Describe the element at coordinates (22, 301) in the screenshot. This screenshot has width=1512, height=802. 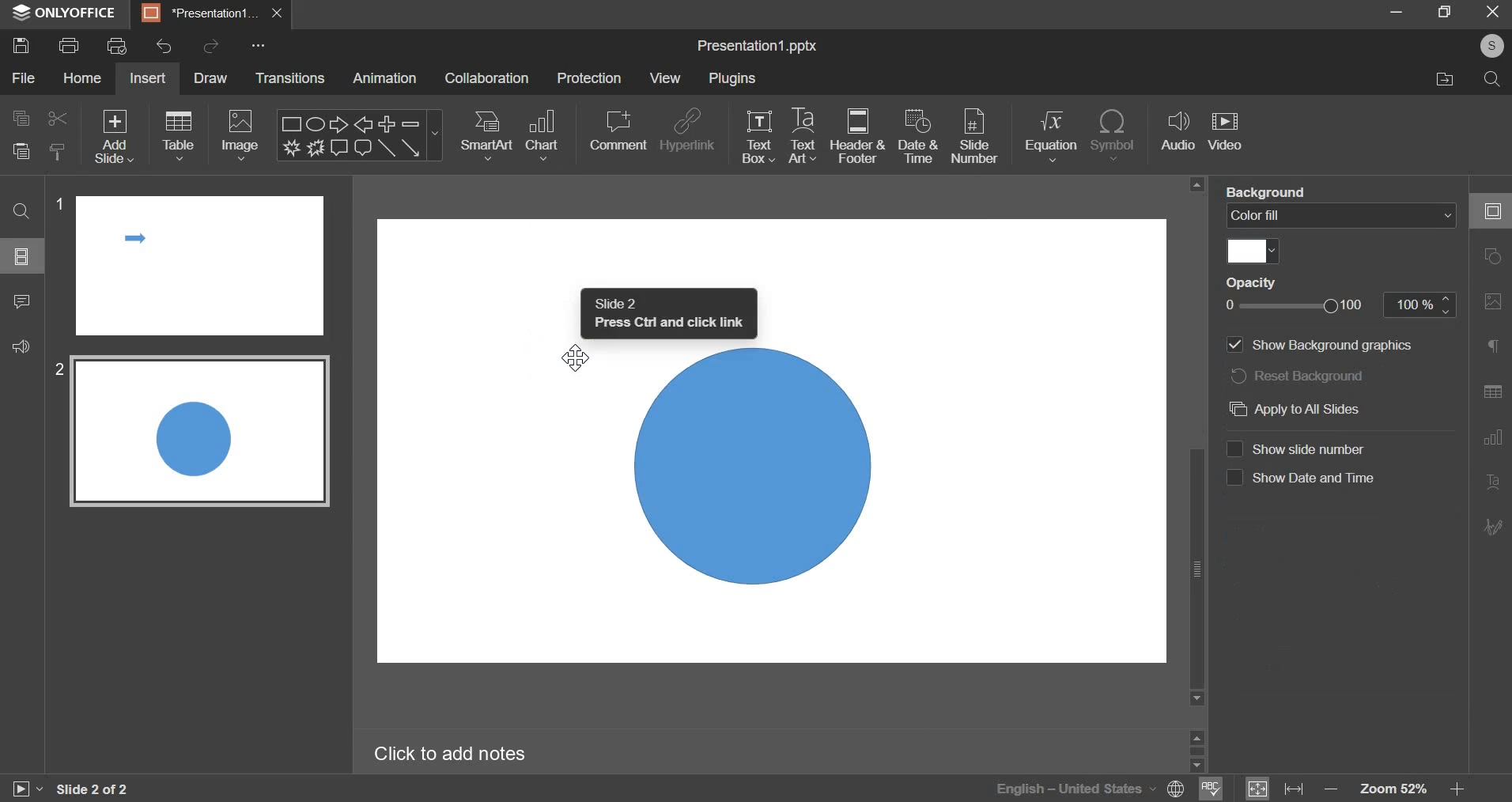
I see `comment` at that location.